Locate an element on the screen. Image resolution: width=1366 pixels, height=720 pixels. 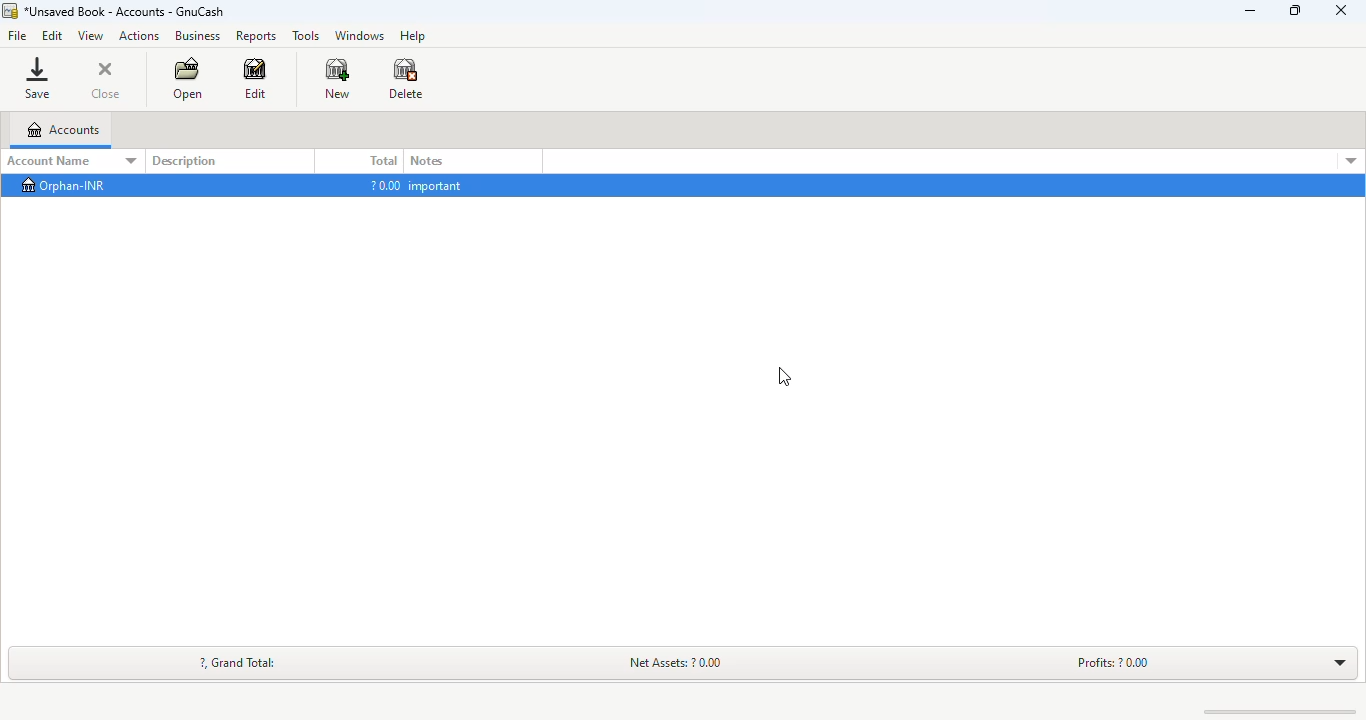
close is located at coordinates (1341, 10).